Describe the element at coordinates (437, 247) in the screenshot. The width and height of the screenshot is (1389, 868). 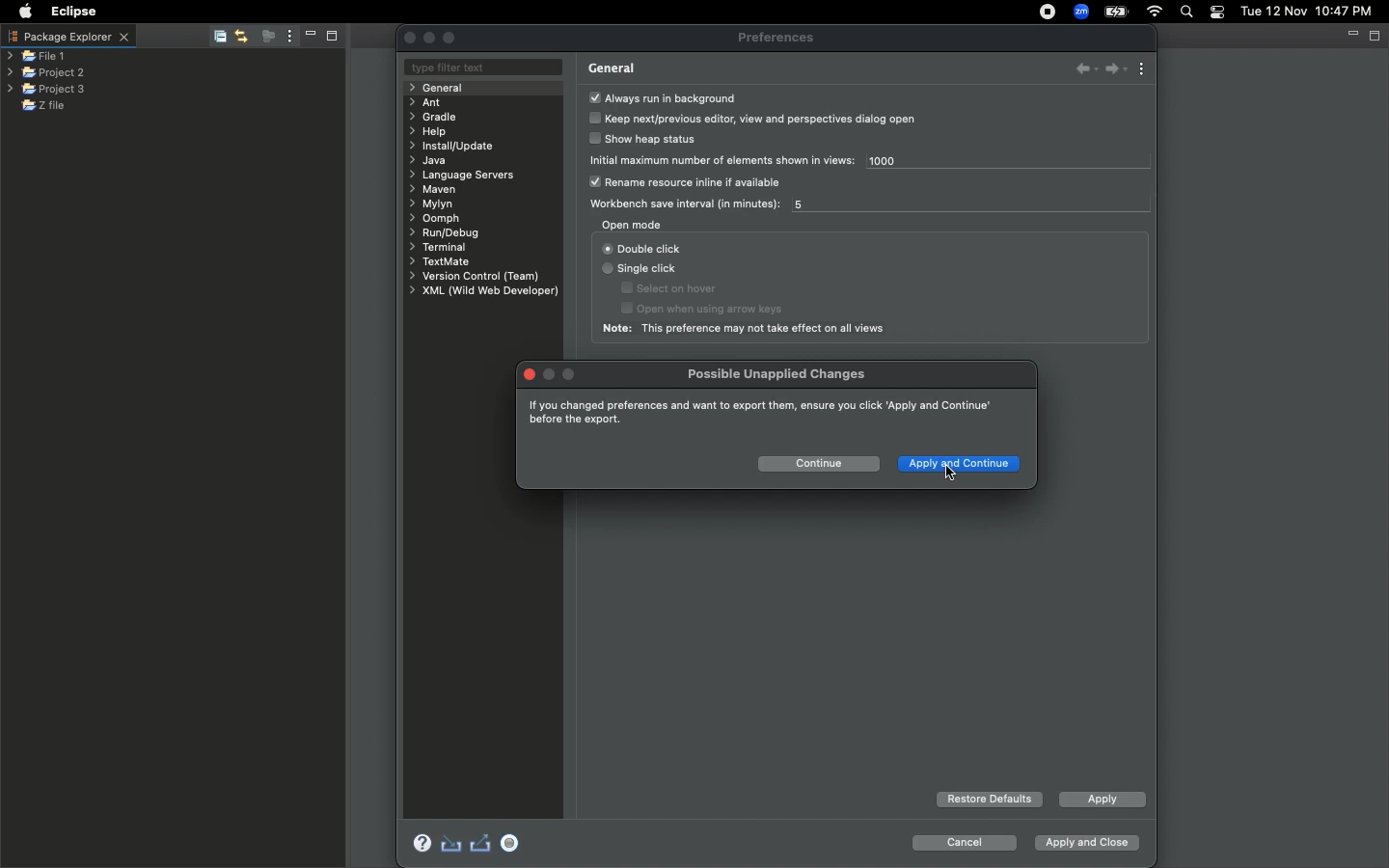
I see `Terminal` at that location.